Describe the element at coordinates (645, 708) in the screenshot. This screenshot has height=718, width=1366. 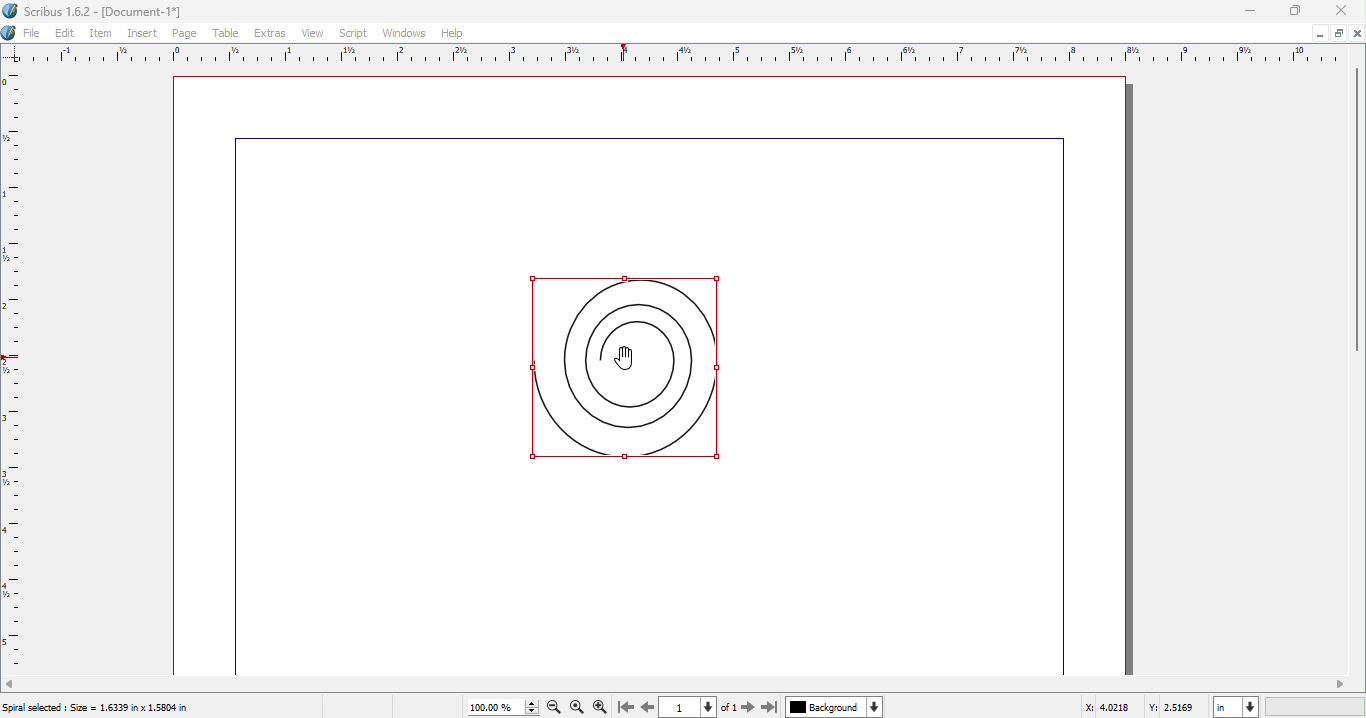
I see `Go to the previous page` at that location.